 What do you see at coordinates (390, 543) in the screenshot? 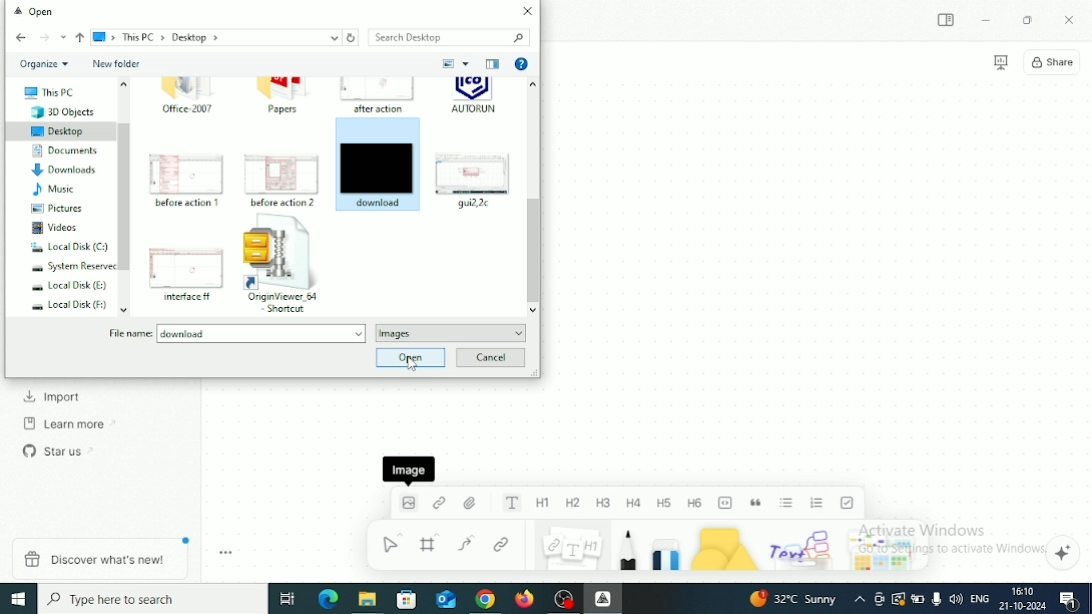
I see `Select` at bounding box center [390, 543].